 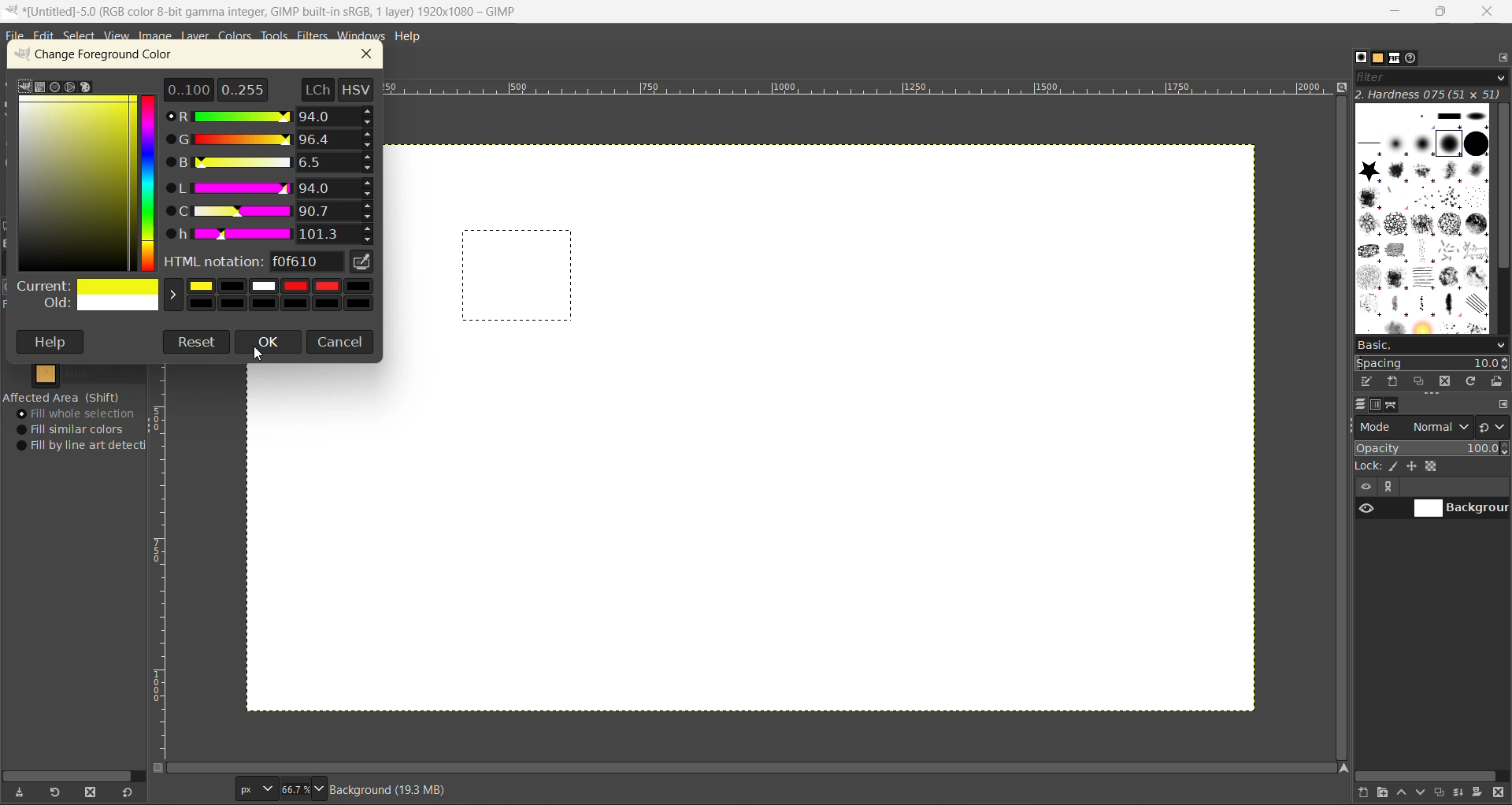 I want to click on palette, so click(x=87, y=88).